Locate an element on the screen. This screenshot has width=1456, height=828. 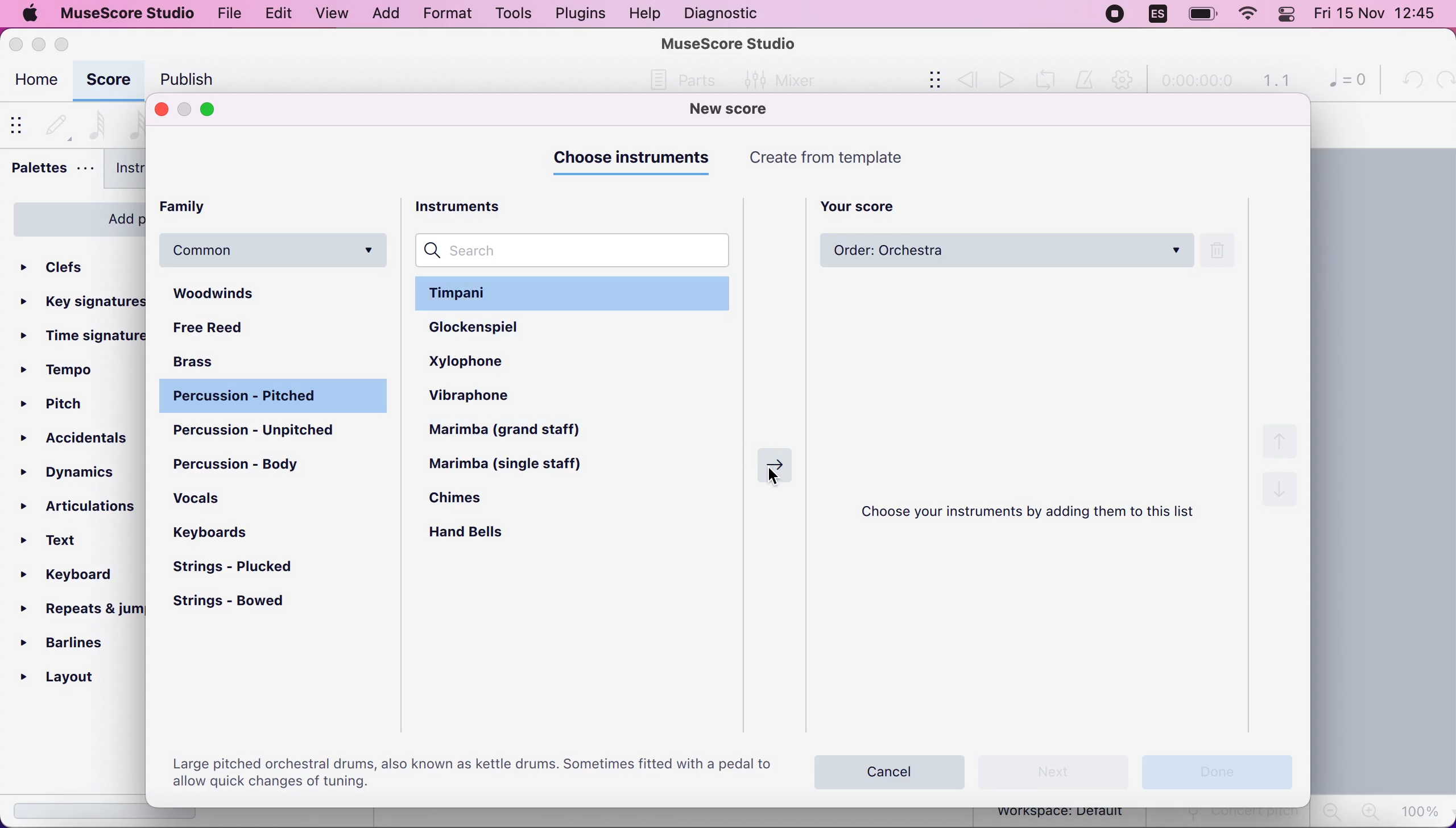
edit is located at coordinates (276, 12).